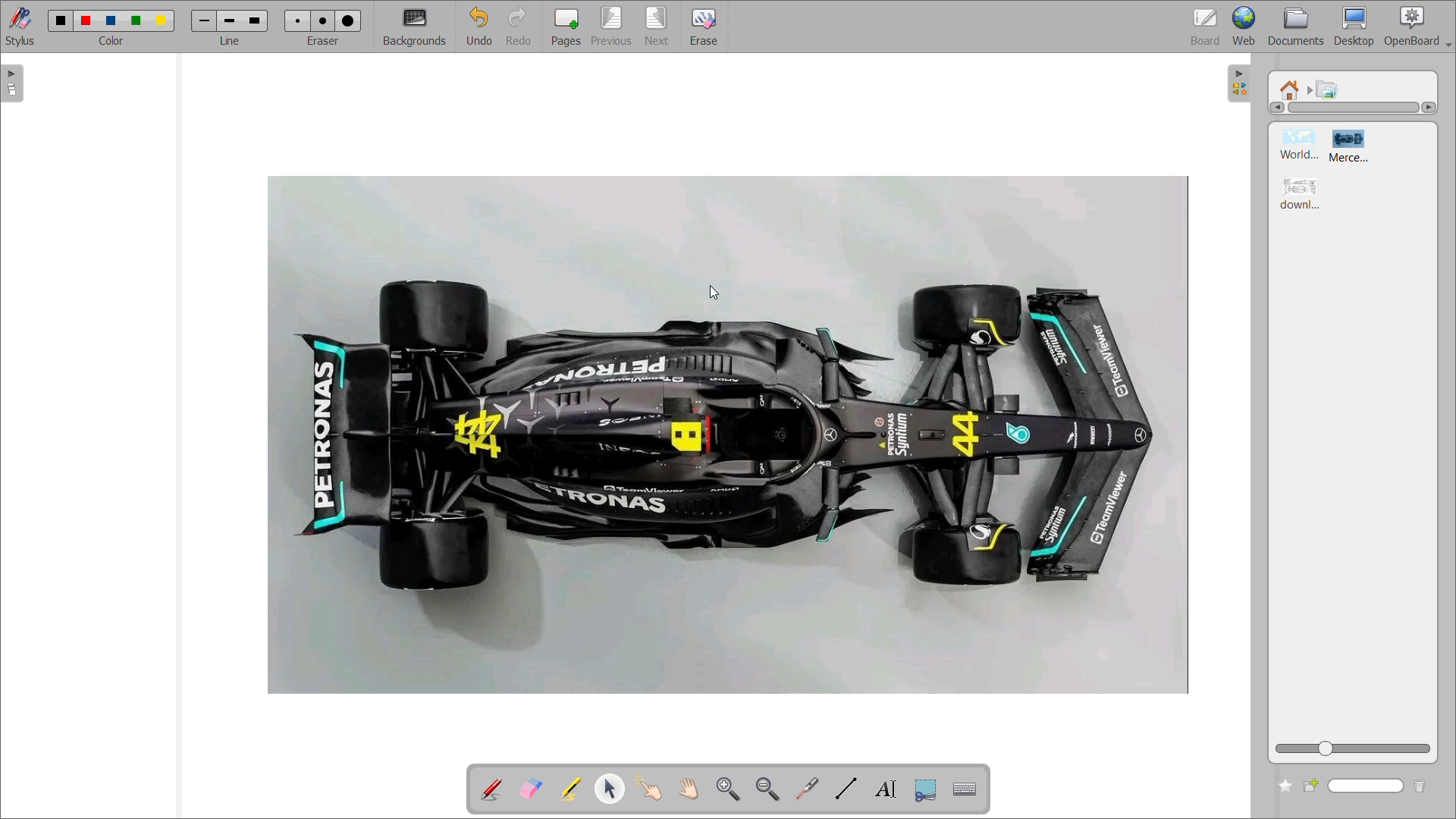 This screenshot has width=1456, height=819. Describe the element at coordinates (1200, 27) in the screenshot. I see `board` at that location.